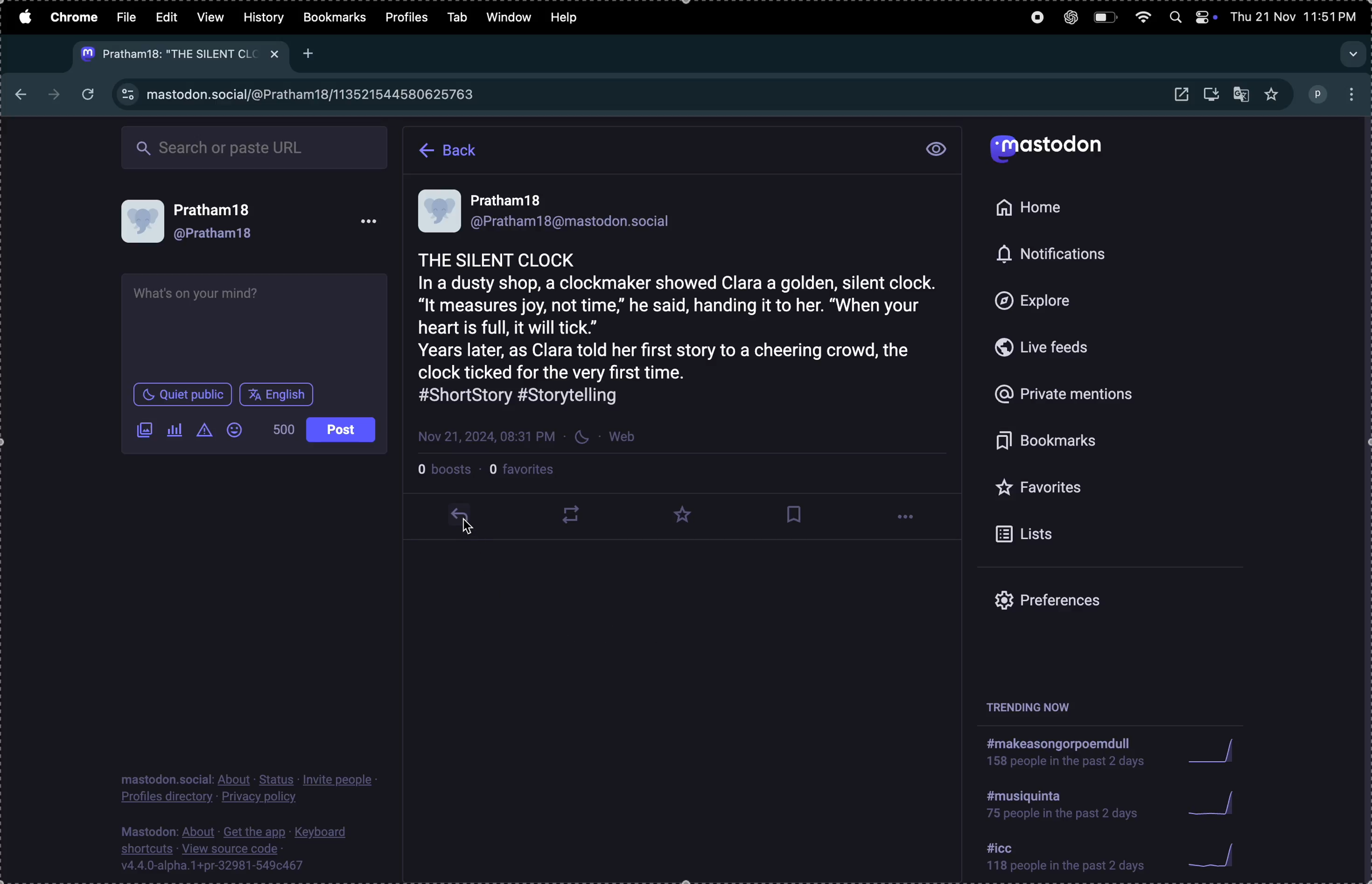 This screenshot has height=884, width=1372. I want to click on bookmark, so click(1083, 442).